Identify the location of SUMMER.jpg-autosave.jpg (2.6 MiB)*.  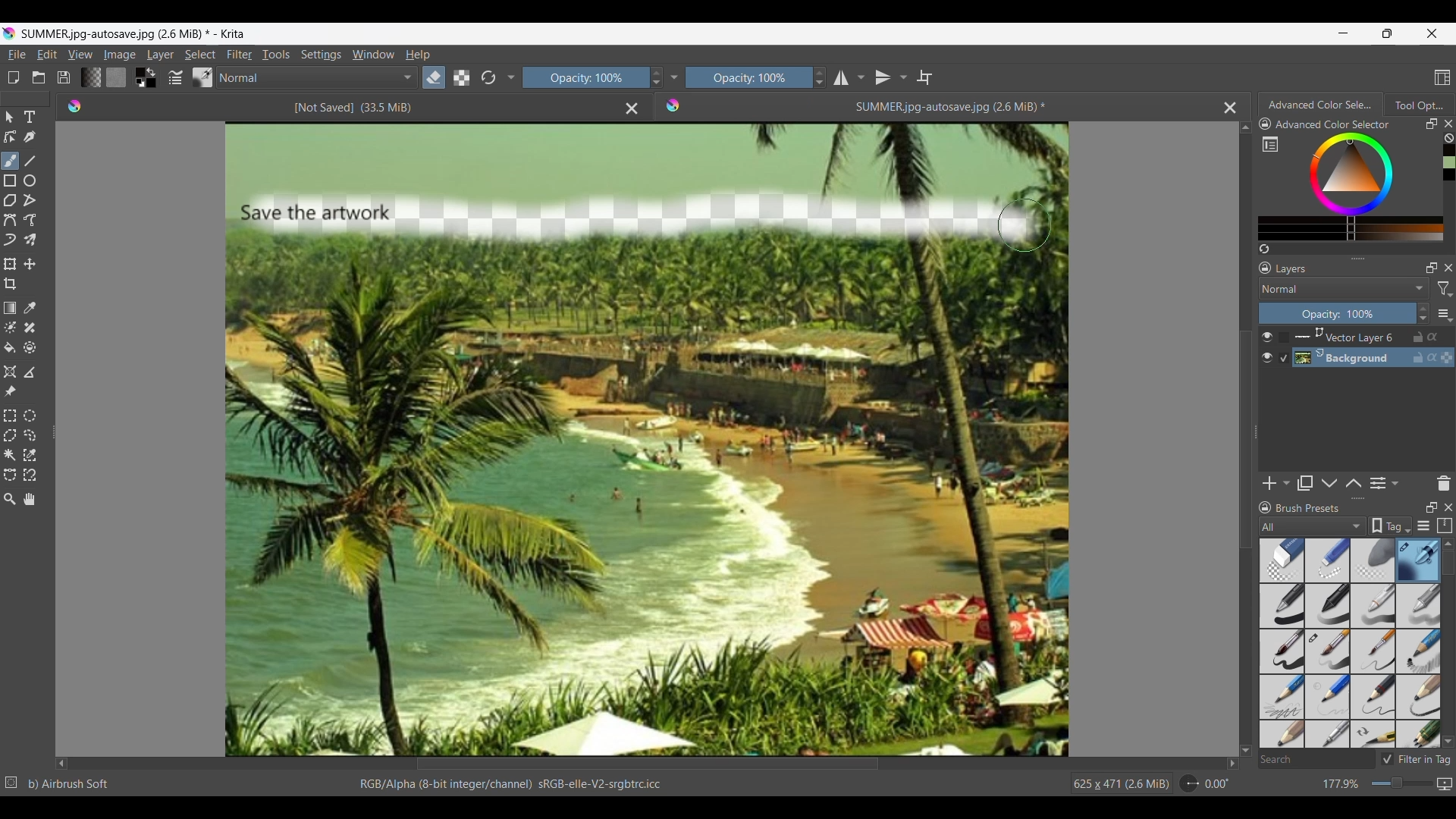
(948, 107).